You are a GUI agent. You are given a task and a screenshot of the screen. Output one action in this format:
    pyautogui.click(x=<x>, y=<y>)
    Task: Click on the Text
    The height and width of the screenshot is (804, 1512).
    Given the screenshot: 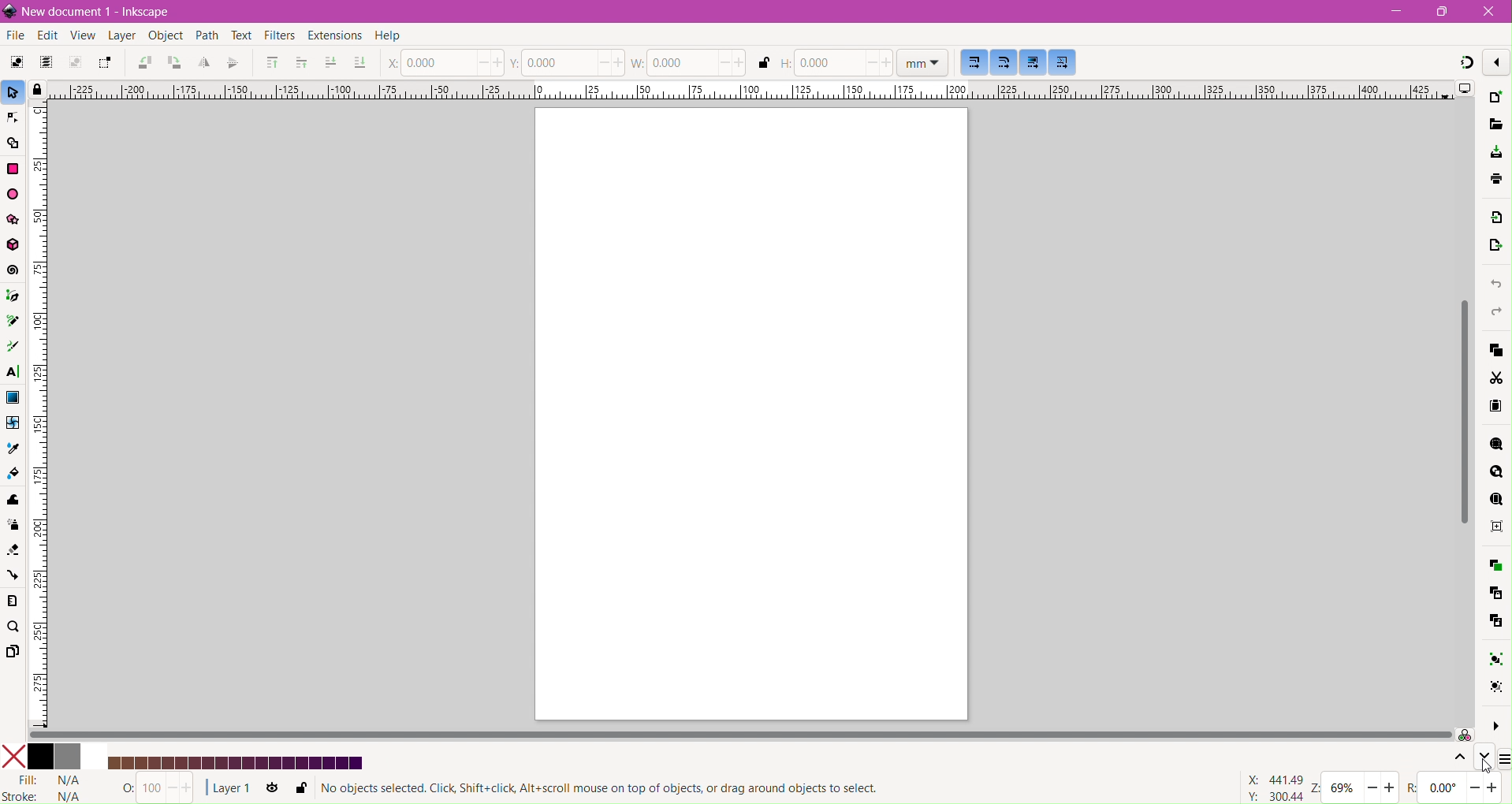 What is the action you would take?
    pyautogui.click(x=240, y=35)
    